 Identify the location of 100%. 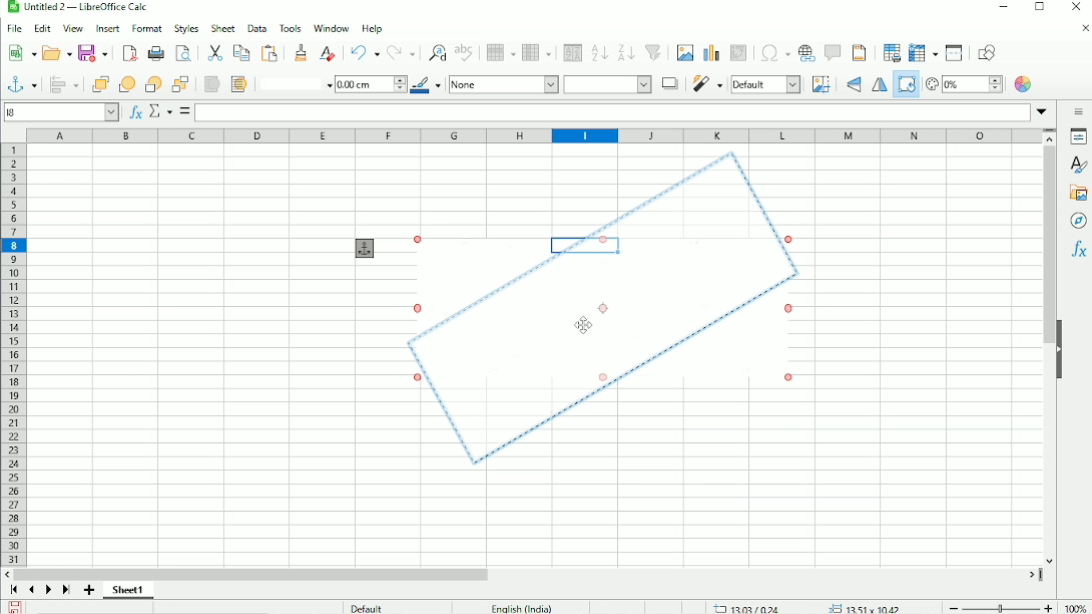
(1075, 605).